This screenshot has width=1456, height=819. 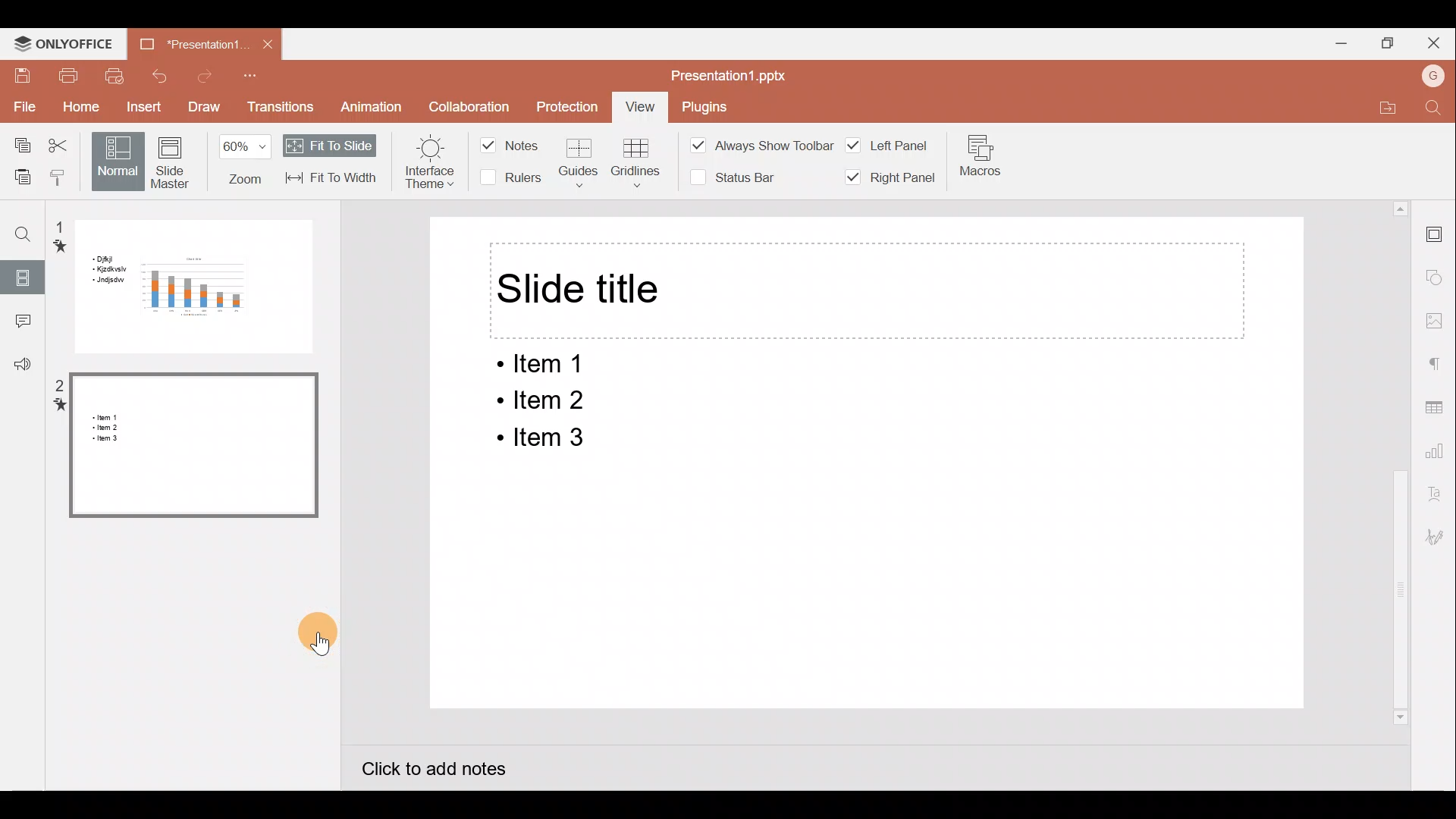 I want to click on Close, so click(x=1433, y=45).